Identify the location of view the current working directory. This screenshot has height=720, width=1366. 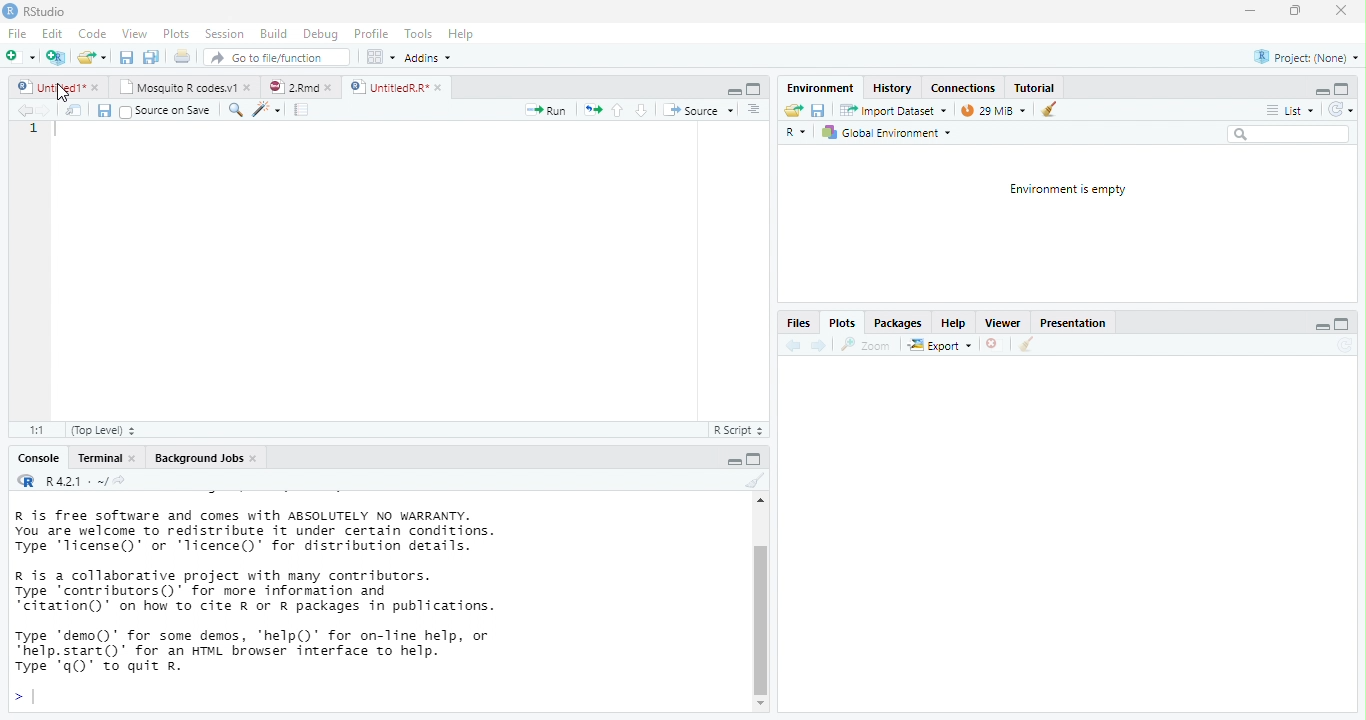
(120, 480).